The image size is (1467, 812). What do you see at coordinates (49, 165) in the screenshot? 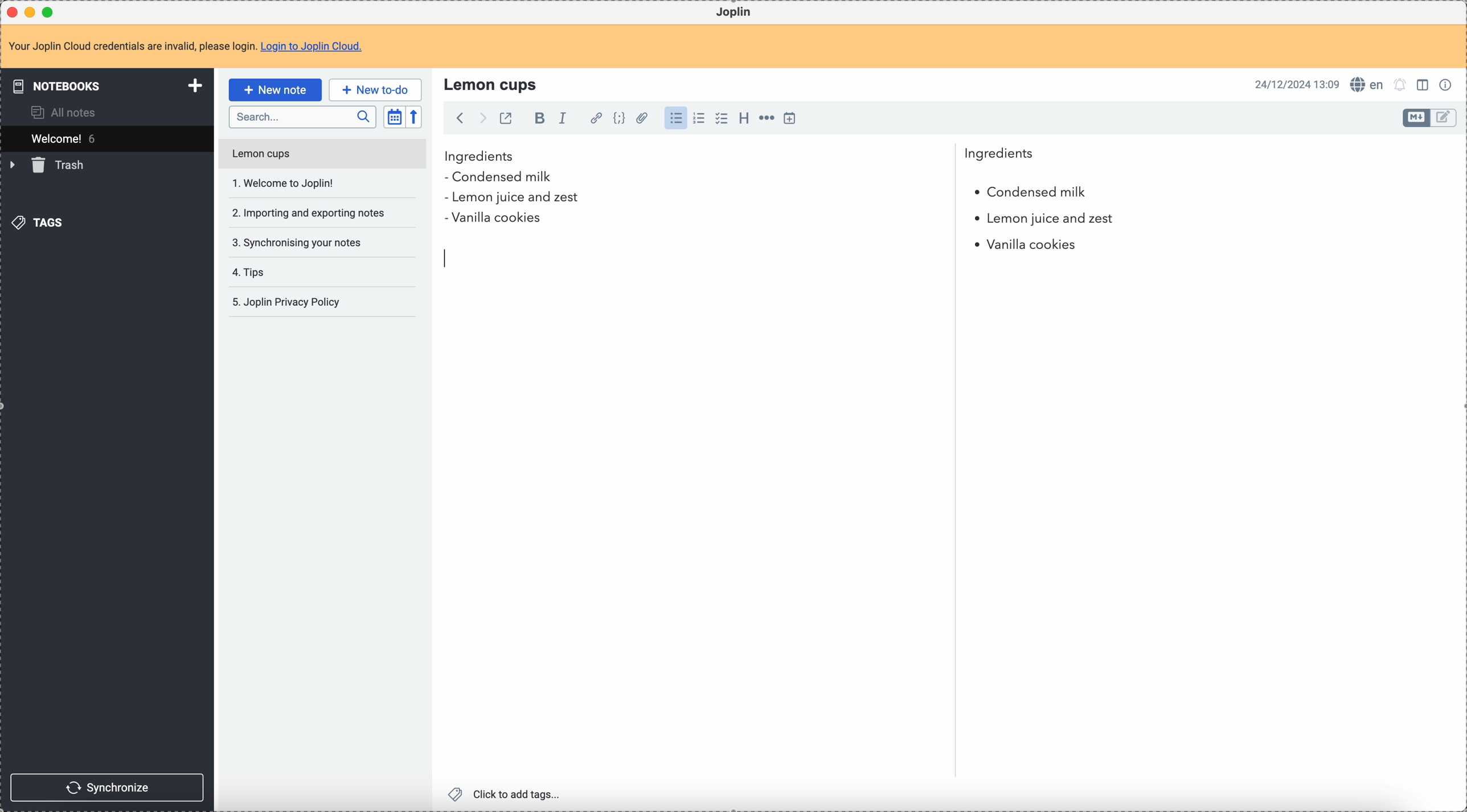
I see `trash` at bounding box center [49, 165].